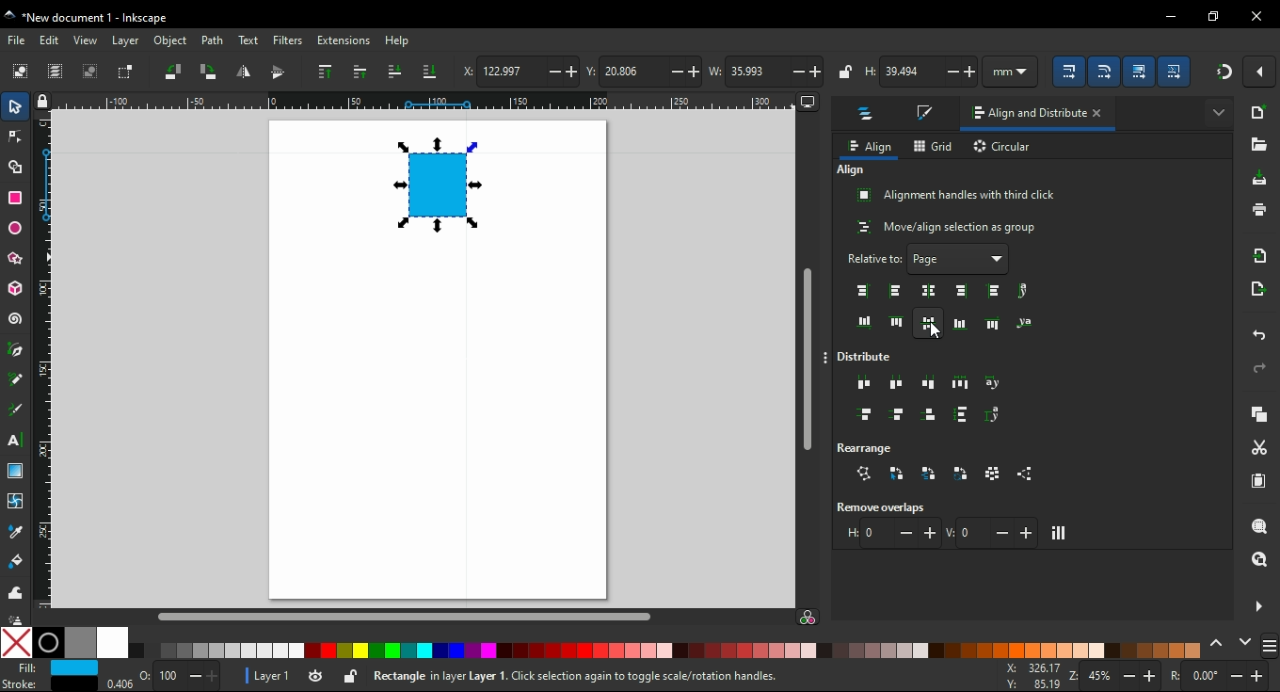 The height and width of the screenshot is (692, 1280). What do you see at coordinates (1258, 144) in the screenshot?
I see `open file dialogue` at bounding box center [1258, 144].